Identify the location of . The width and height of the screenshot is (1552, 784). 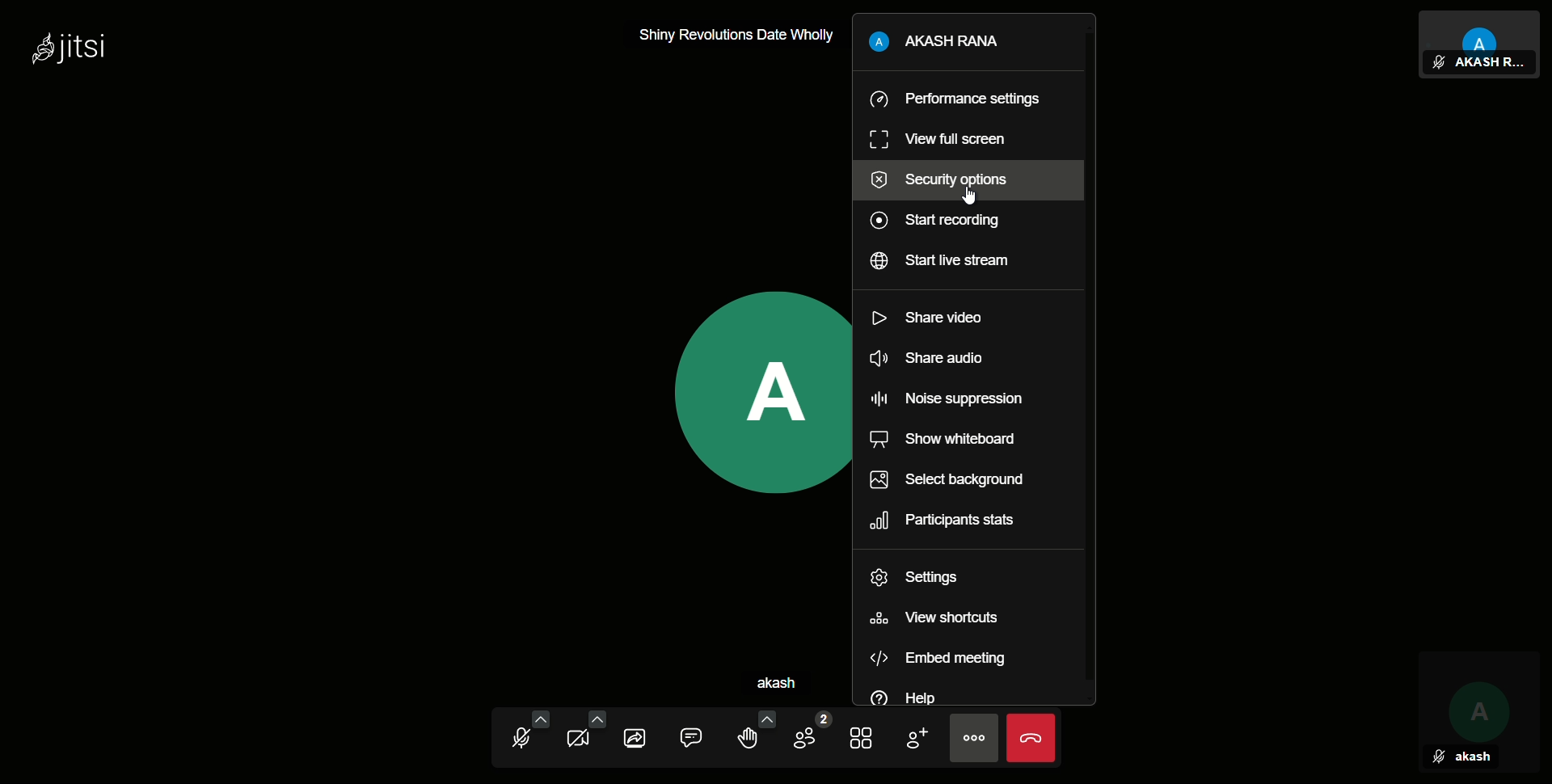
(751, 735).